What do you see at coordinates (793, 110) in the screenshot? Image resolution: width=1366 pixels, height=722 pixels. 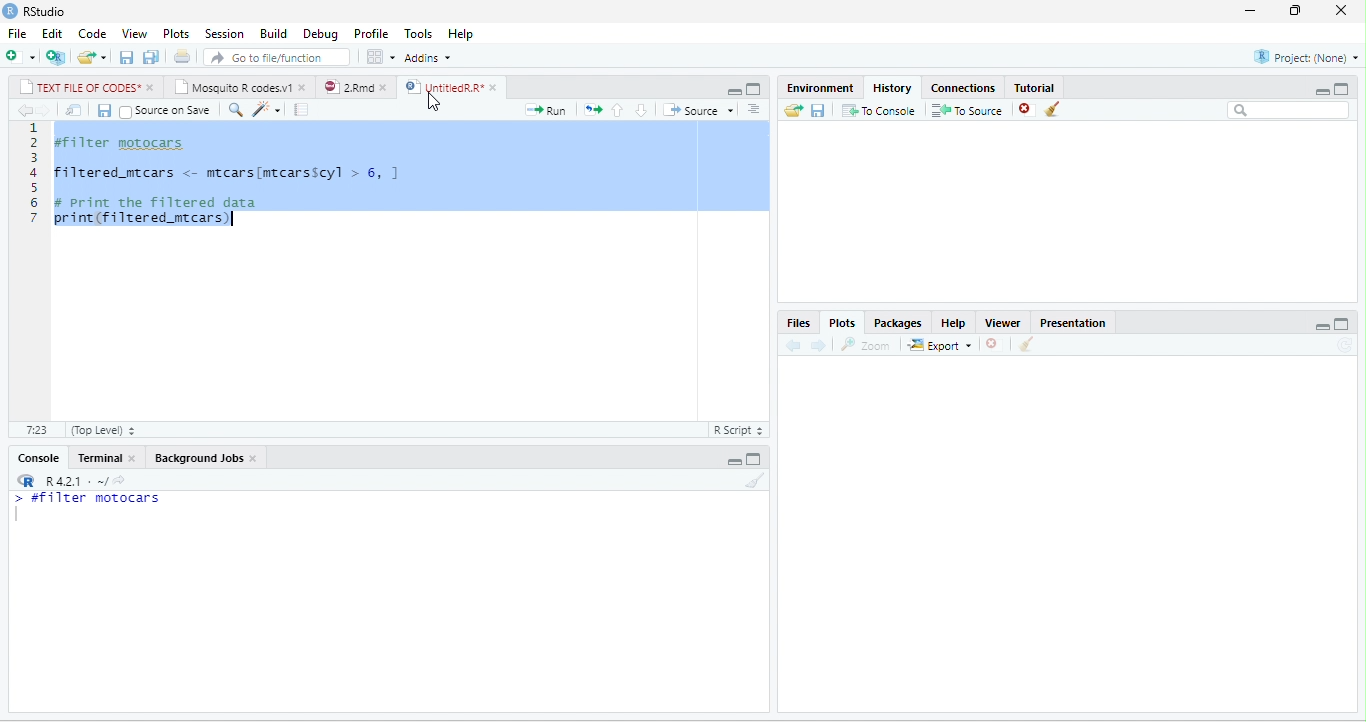 I see `open folder` at bounding box center [793, 110].